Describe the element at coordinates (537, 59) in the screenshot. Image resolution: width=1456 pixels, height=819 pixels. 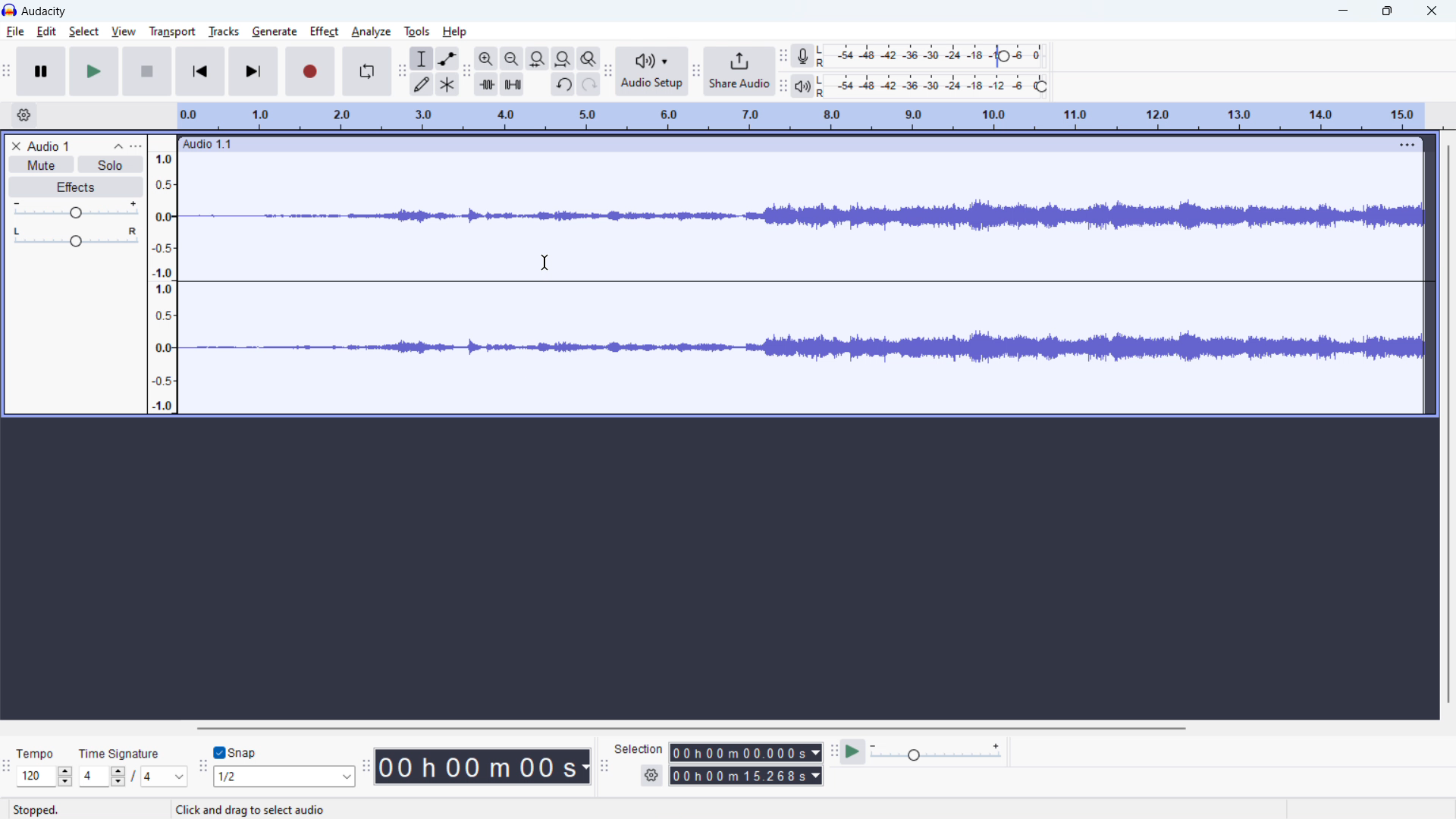
I see `fit selection to width` at that location.